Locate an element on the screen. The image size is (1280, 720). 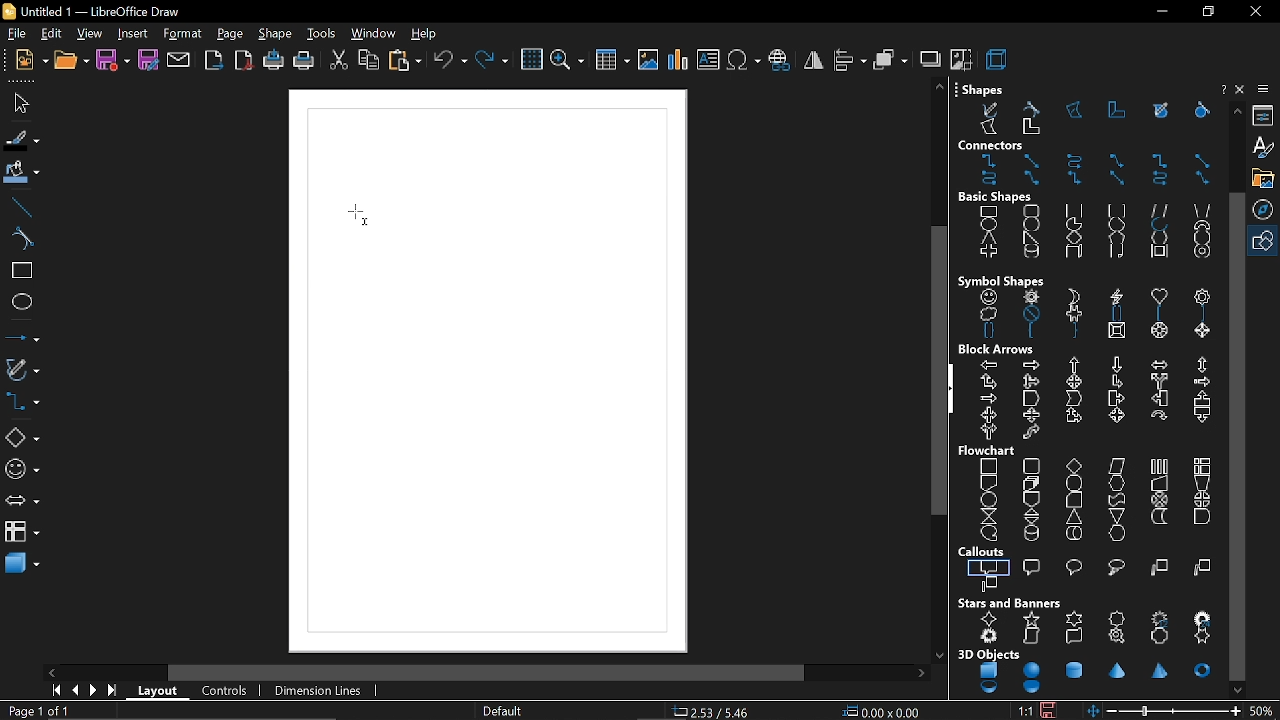
square is located at coordinates (1074, 211).